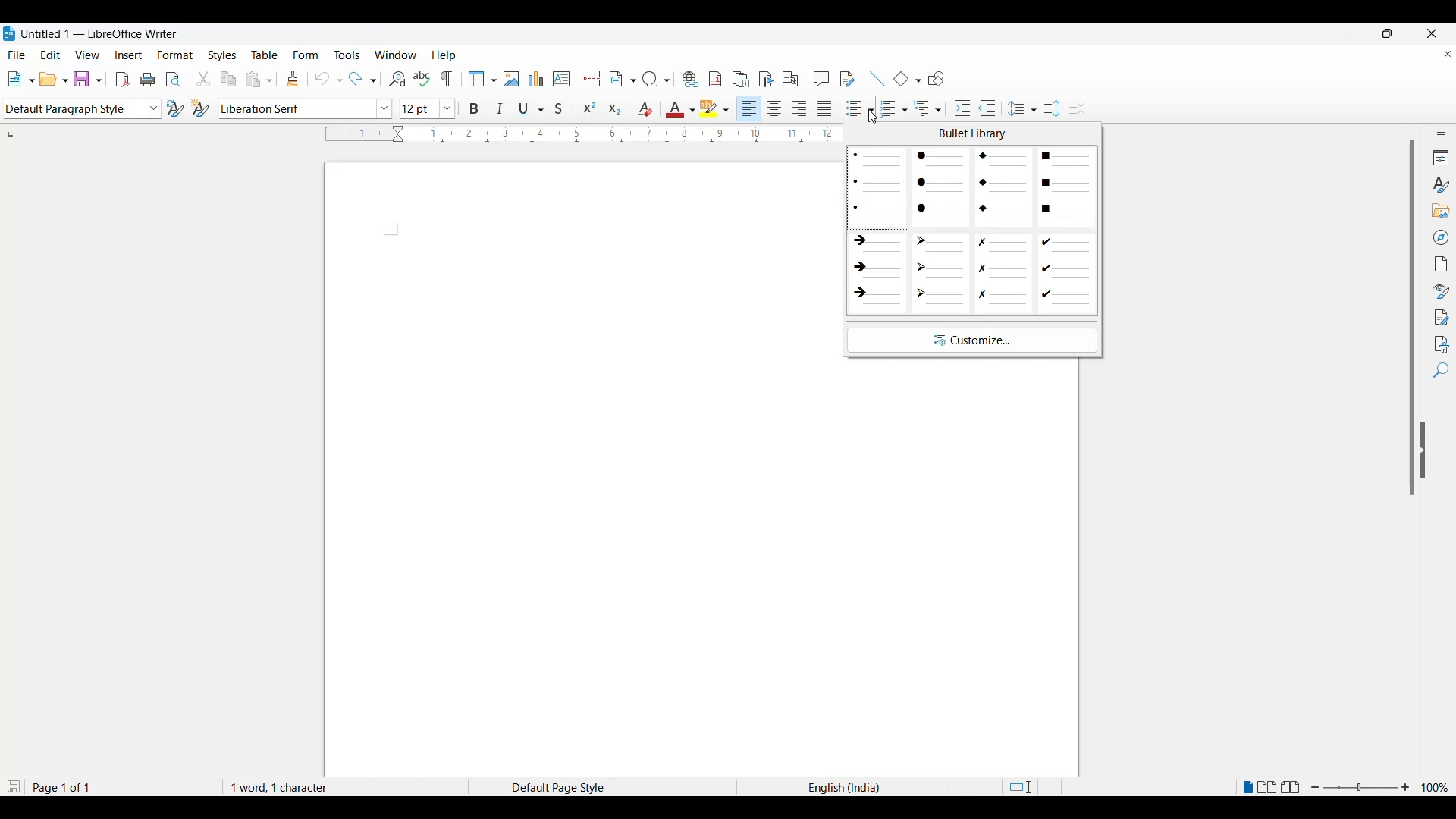 This screenshot has width=1456, height=819. What do you see at coordinates (906, 78) in the screenshot?
I see `add basic shapes` at bounding box center [906, 78].